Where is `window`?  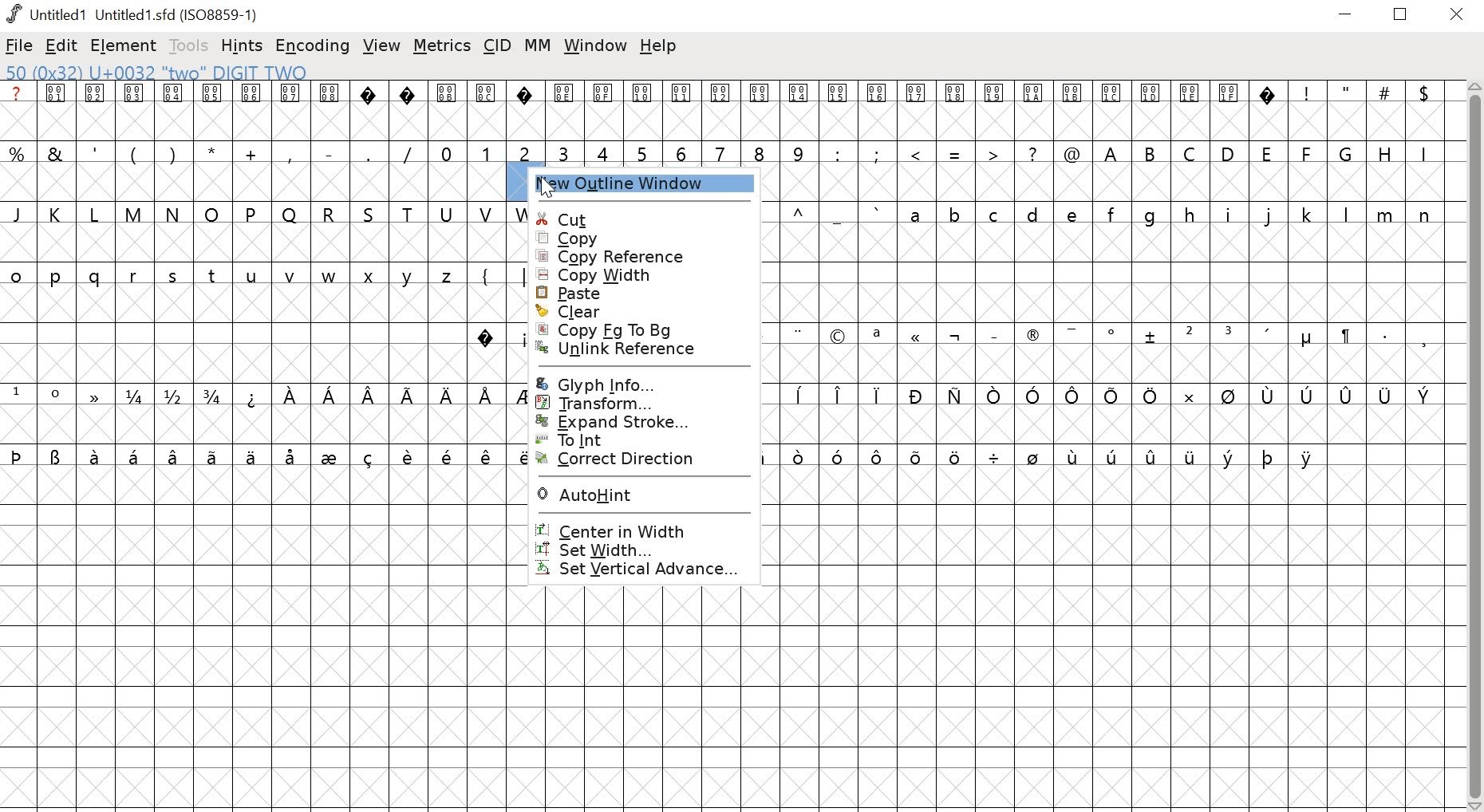 window is located at coordinates (595, 48).